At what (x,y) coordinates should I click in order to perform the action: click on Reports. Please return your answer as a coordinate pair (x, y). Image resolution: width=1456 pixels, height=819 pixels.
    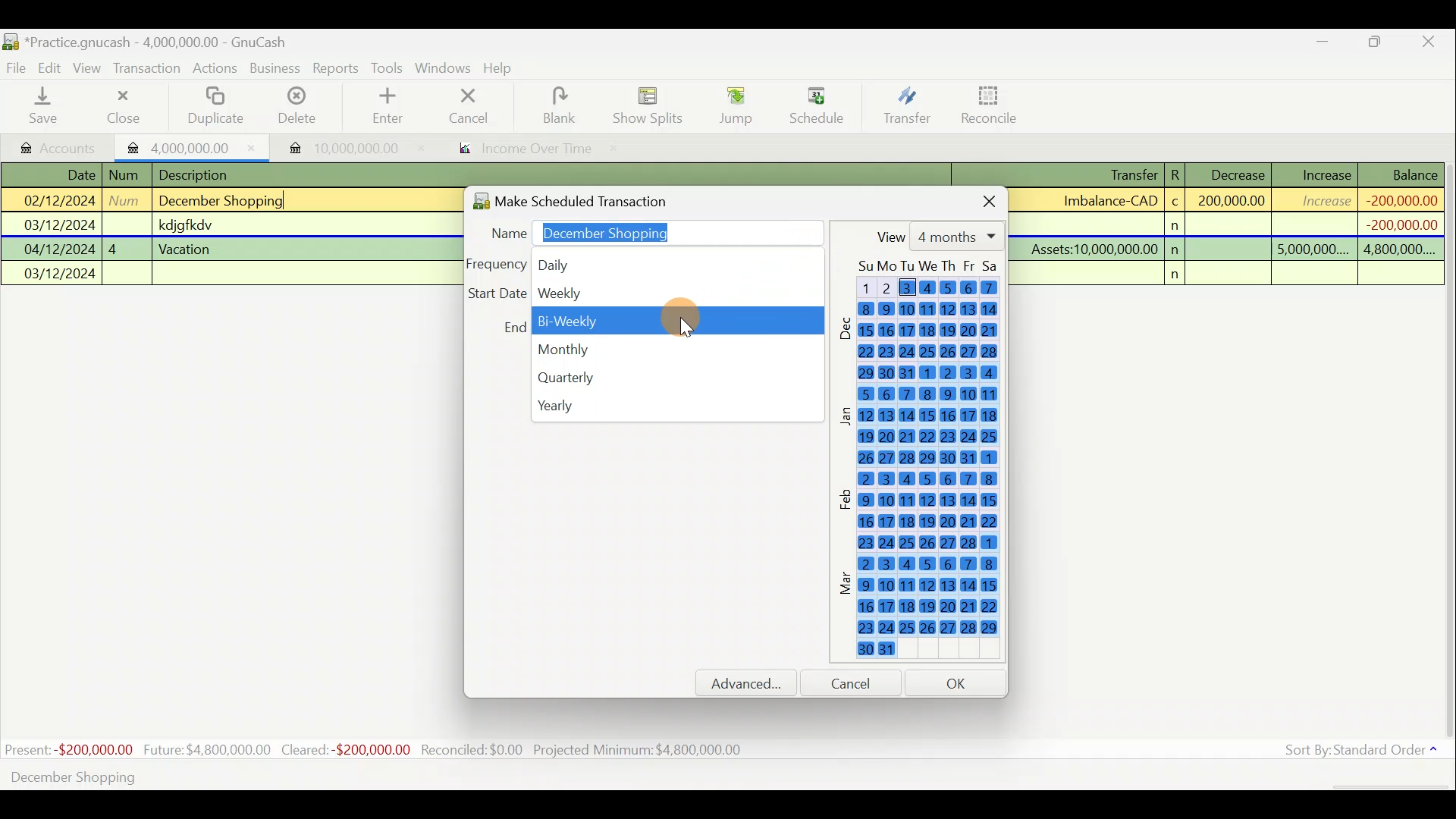
    Looking at the image, I should click on (336, 68).